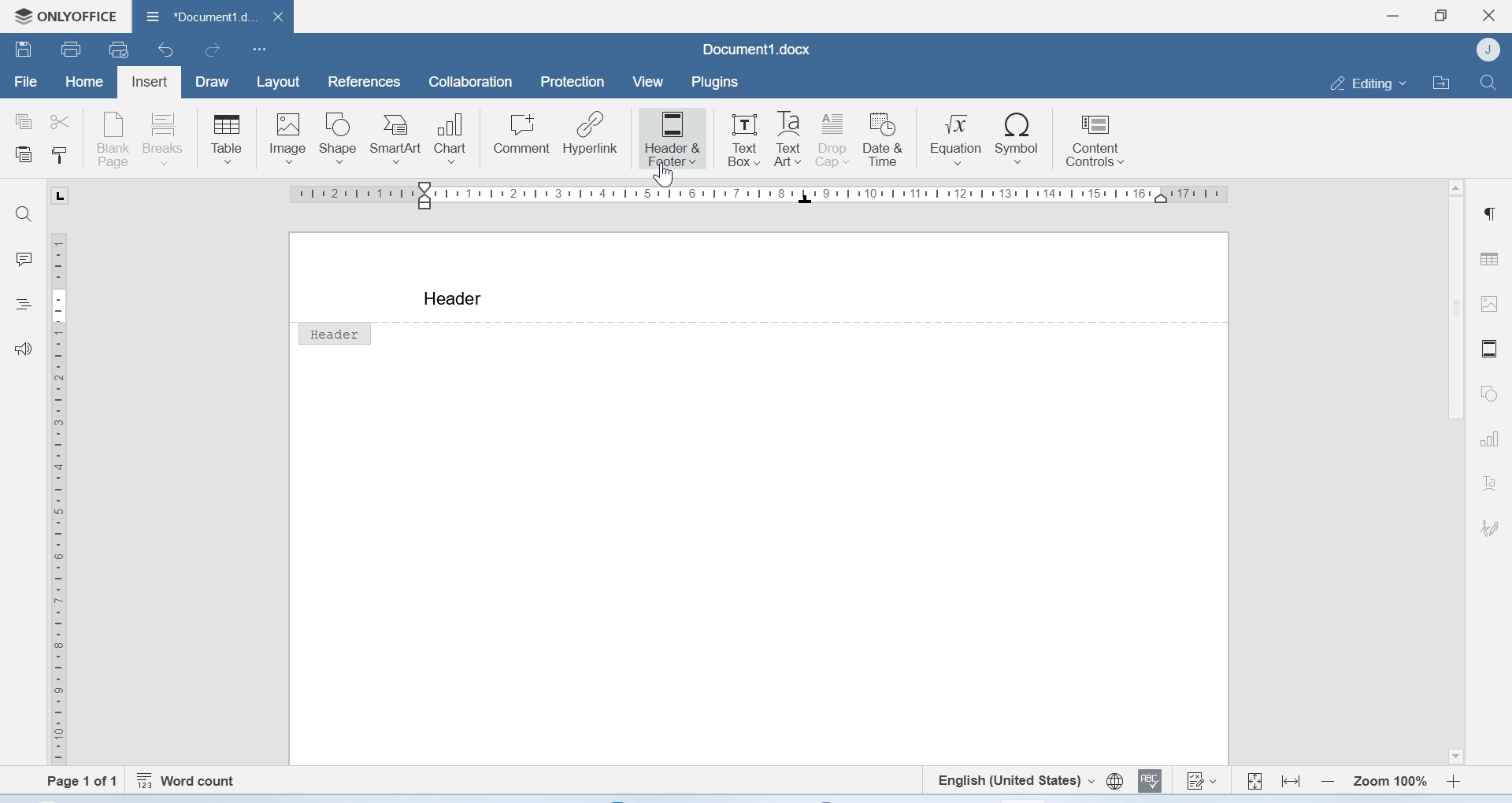  Describe the element at coordinates (1488, 526) in the screenshot. I see `Signature` at that location.